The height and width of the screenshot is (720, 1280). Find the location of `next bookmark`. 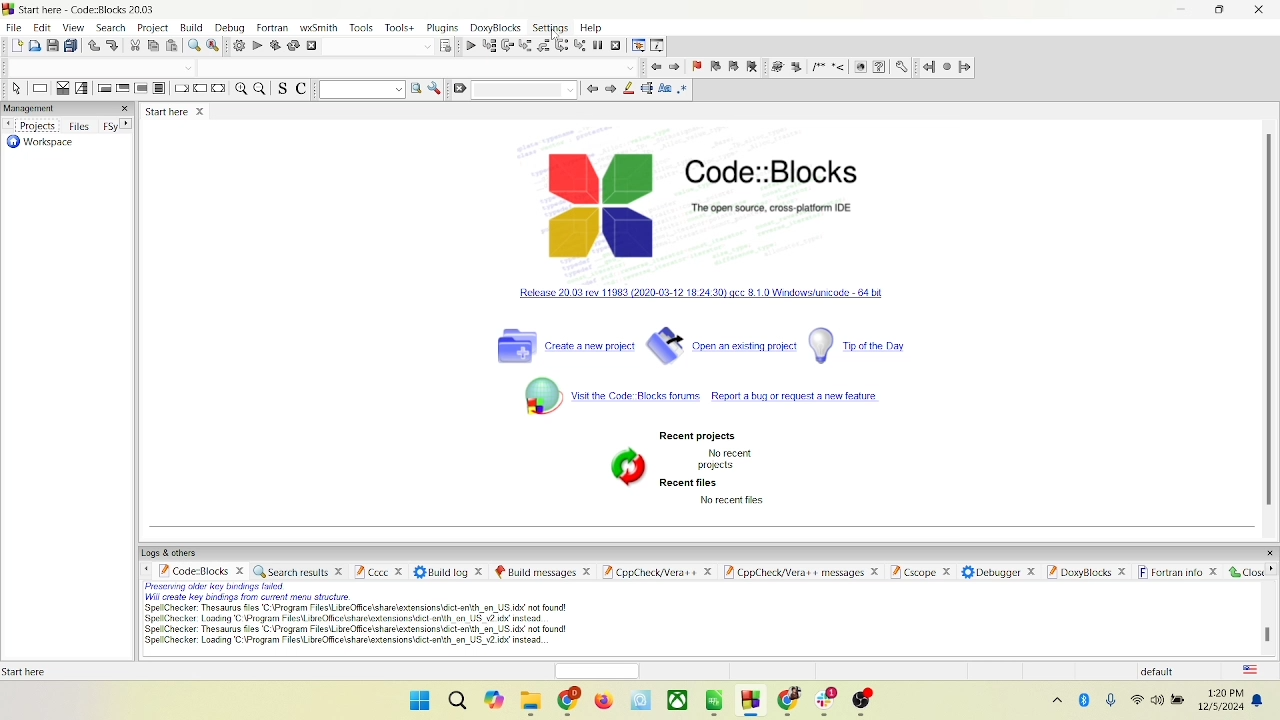

next bookmark is located at coordinates (733, 67).